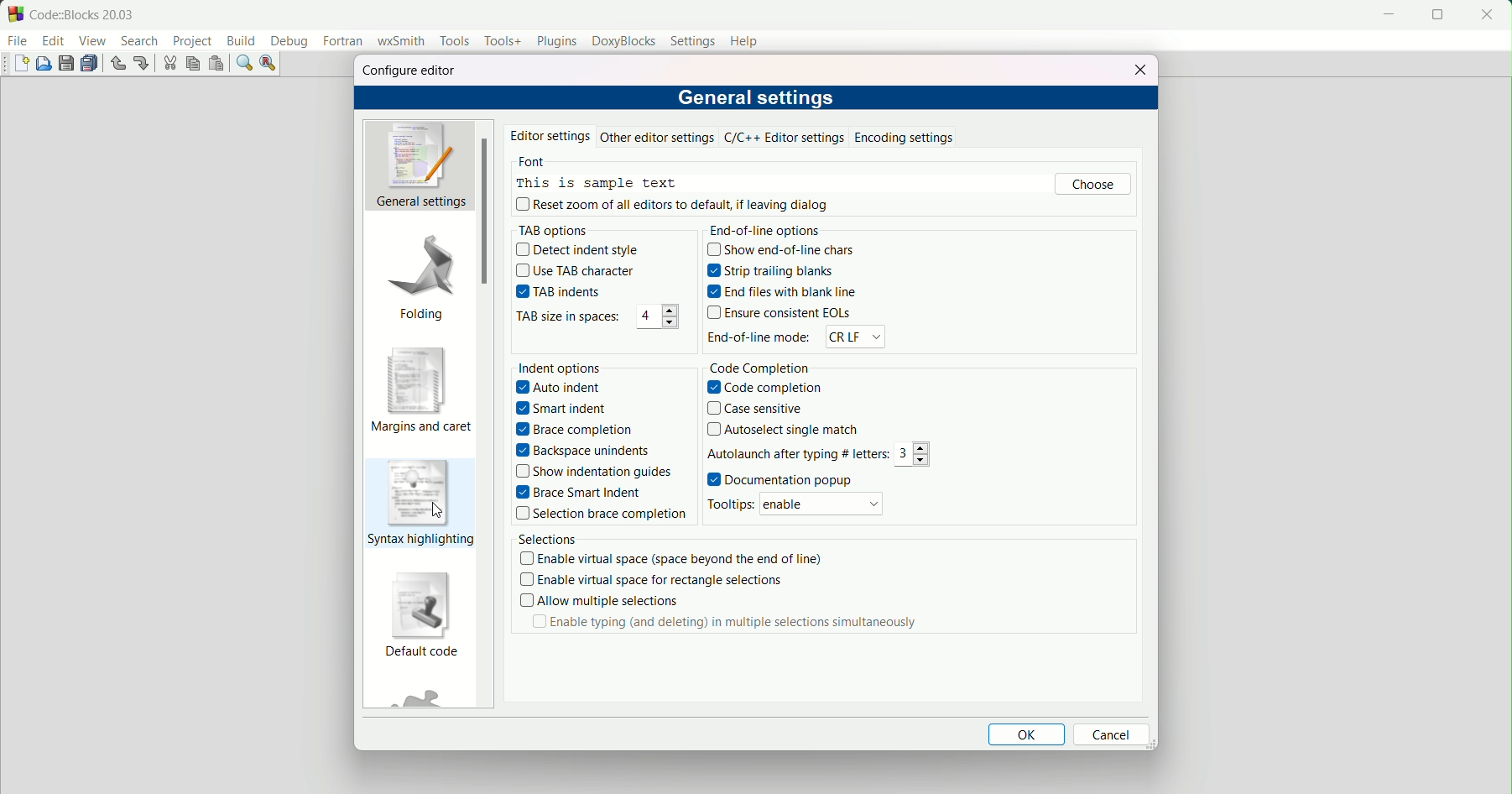 The image size is (1512, 794). What do you see at coordinates (767, 271) in the screenshot?
I see `strip trailing blanks` at bounding box center [767, 271].